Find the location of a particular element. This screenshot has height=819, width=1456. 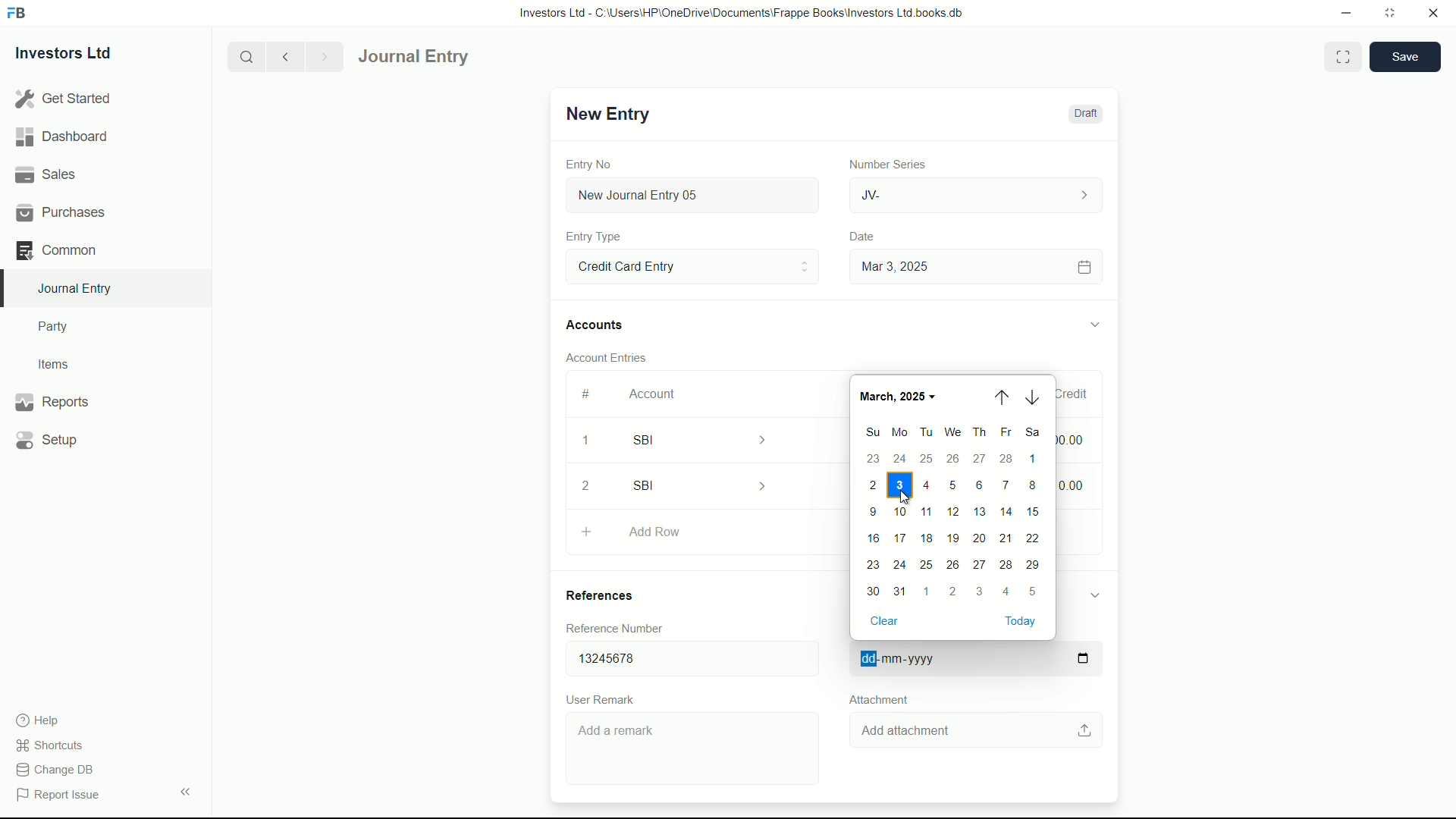

FrappeBooks logo is located at coordinates (17, 14).